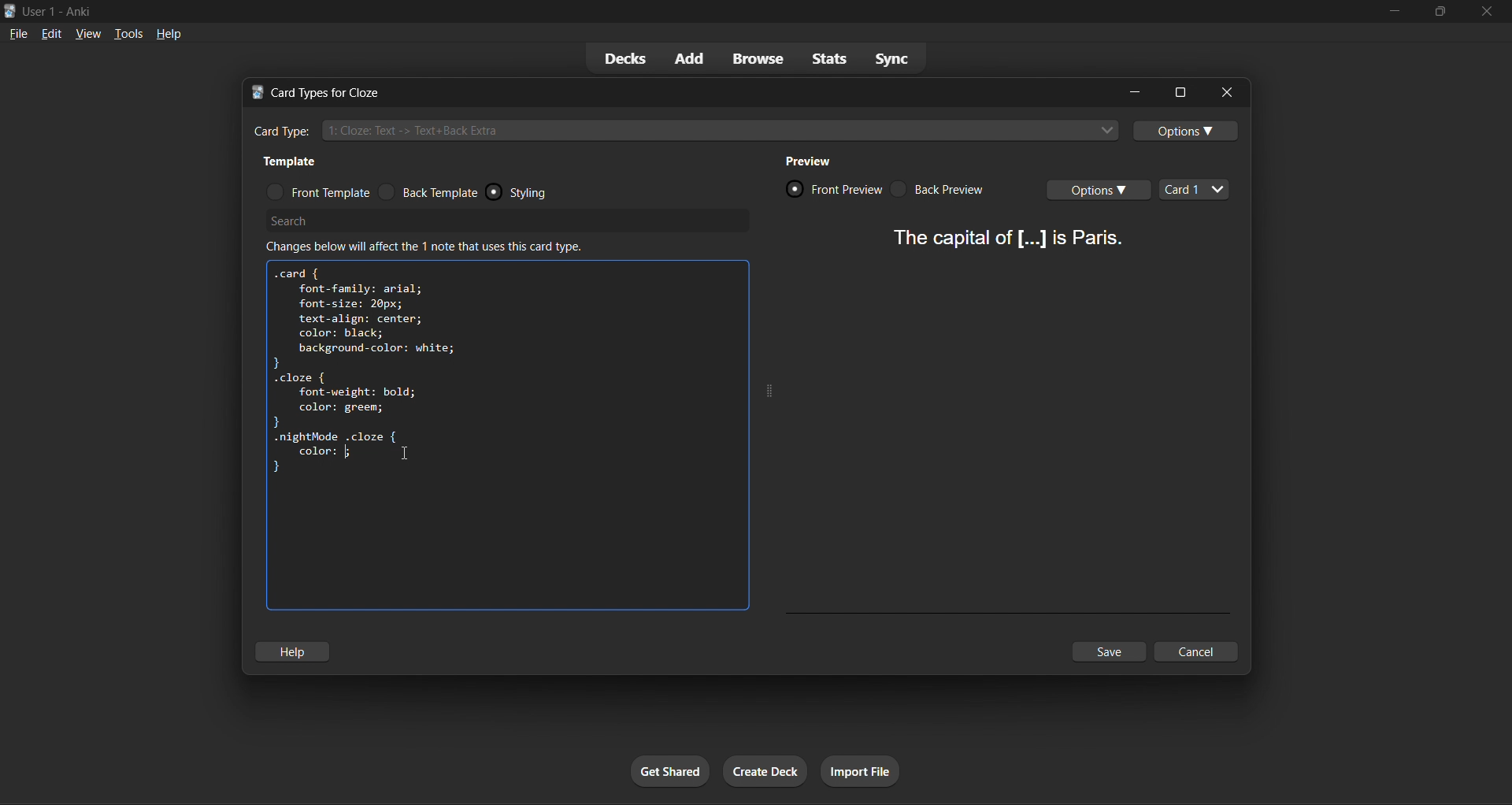 This screenshot has width=1512, height=805. Describe the element at coordinates (18, 33) in the screenshot. I see `file` at that location.